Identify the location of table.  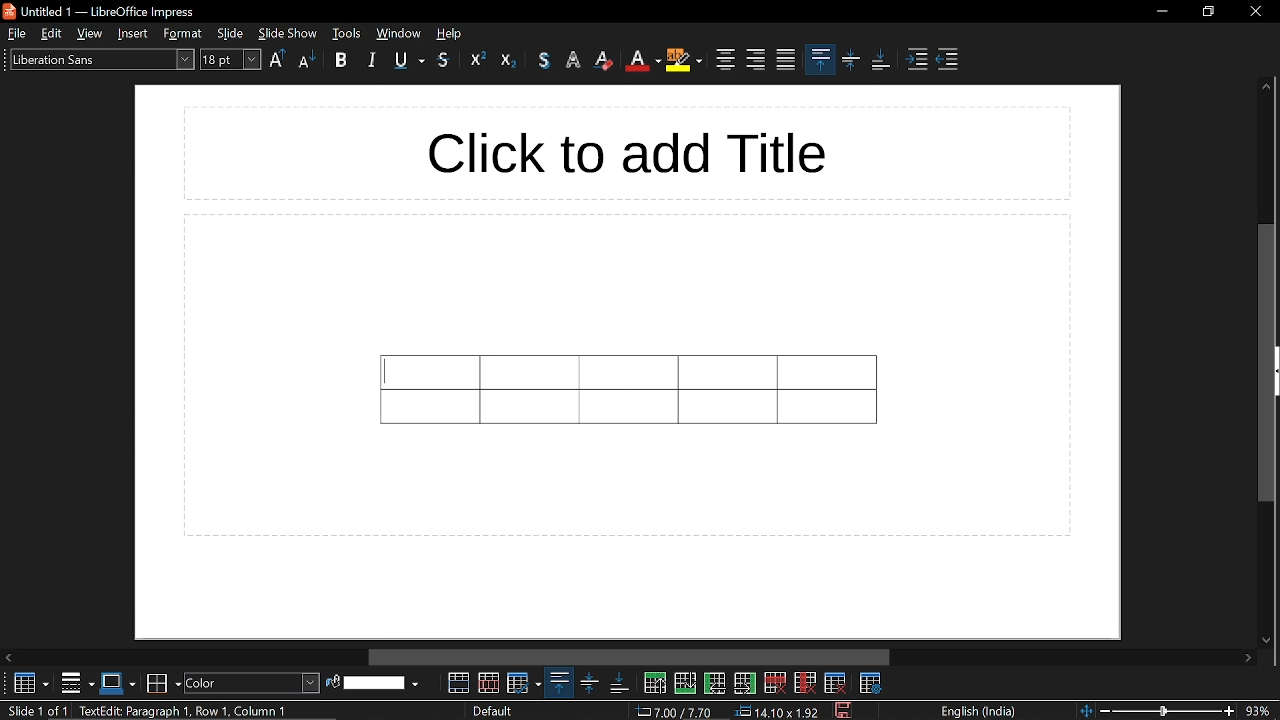
(26, 684).